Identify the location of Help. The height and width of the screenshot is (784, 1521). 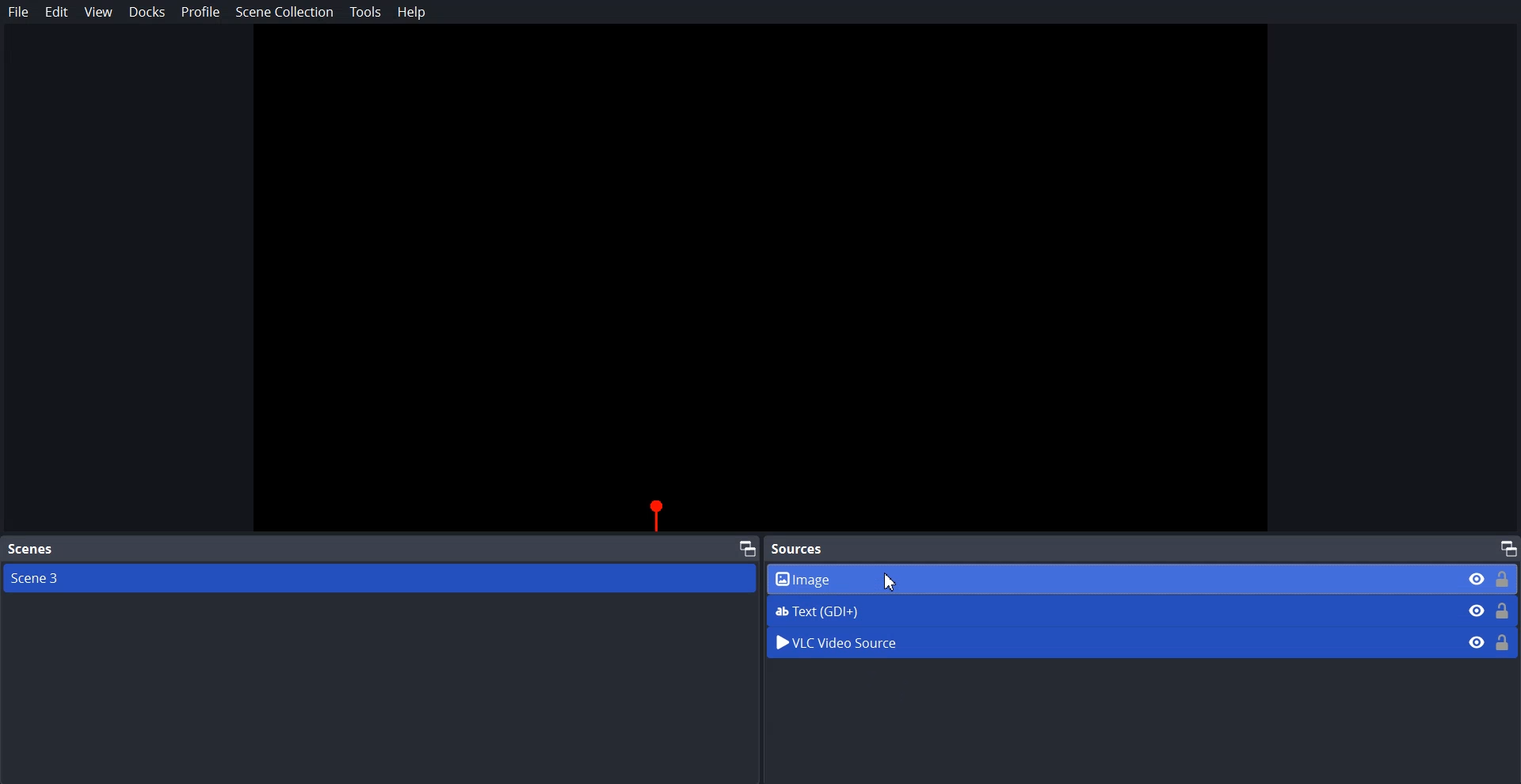
(412, 12).